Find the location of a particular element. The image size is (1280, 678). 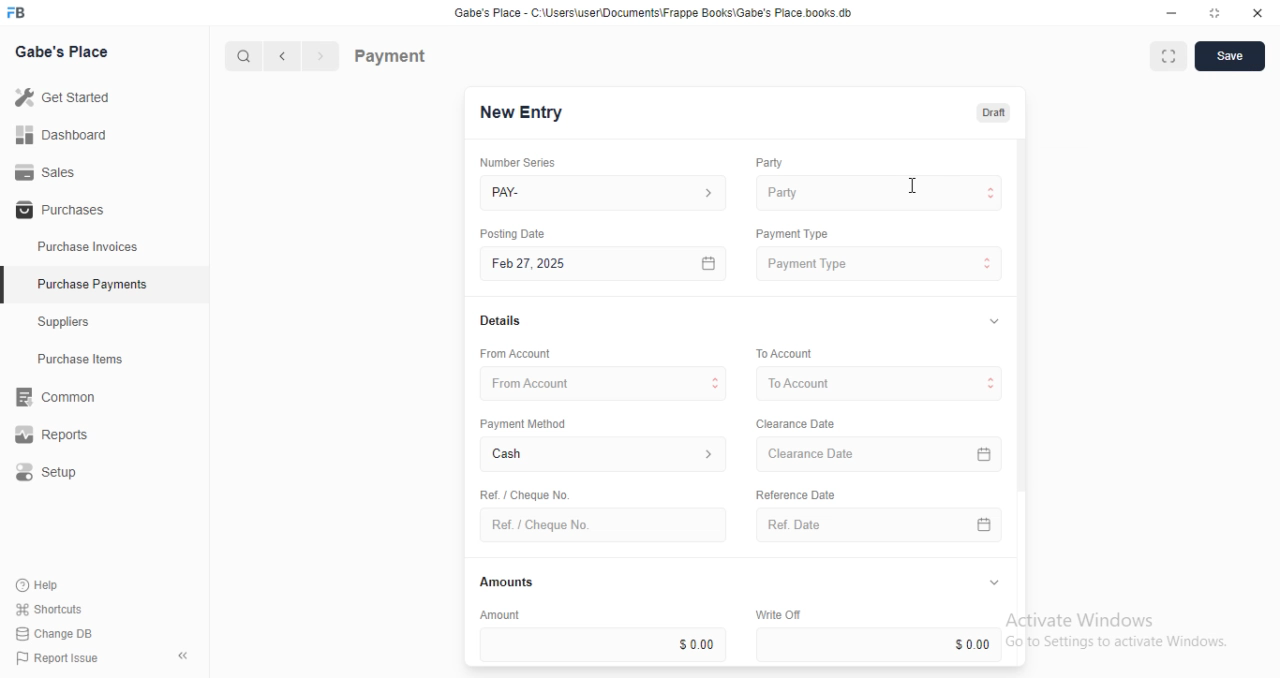

Clearance Date is located at coordinates (794, 424).